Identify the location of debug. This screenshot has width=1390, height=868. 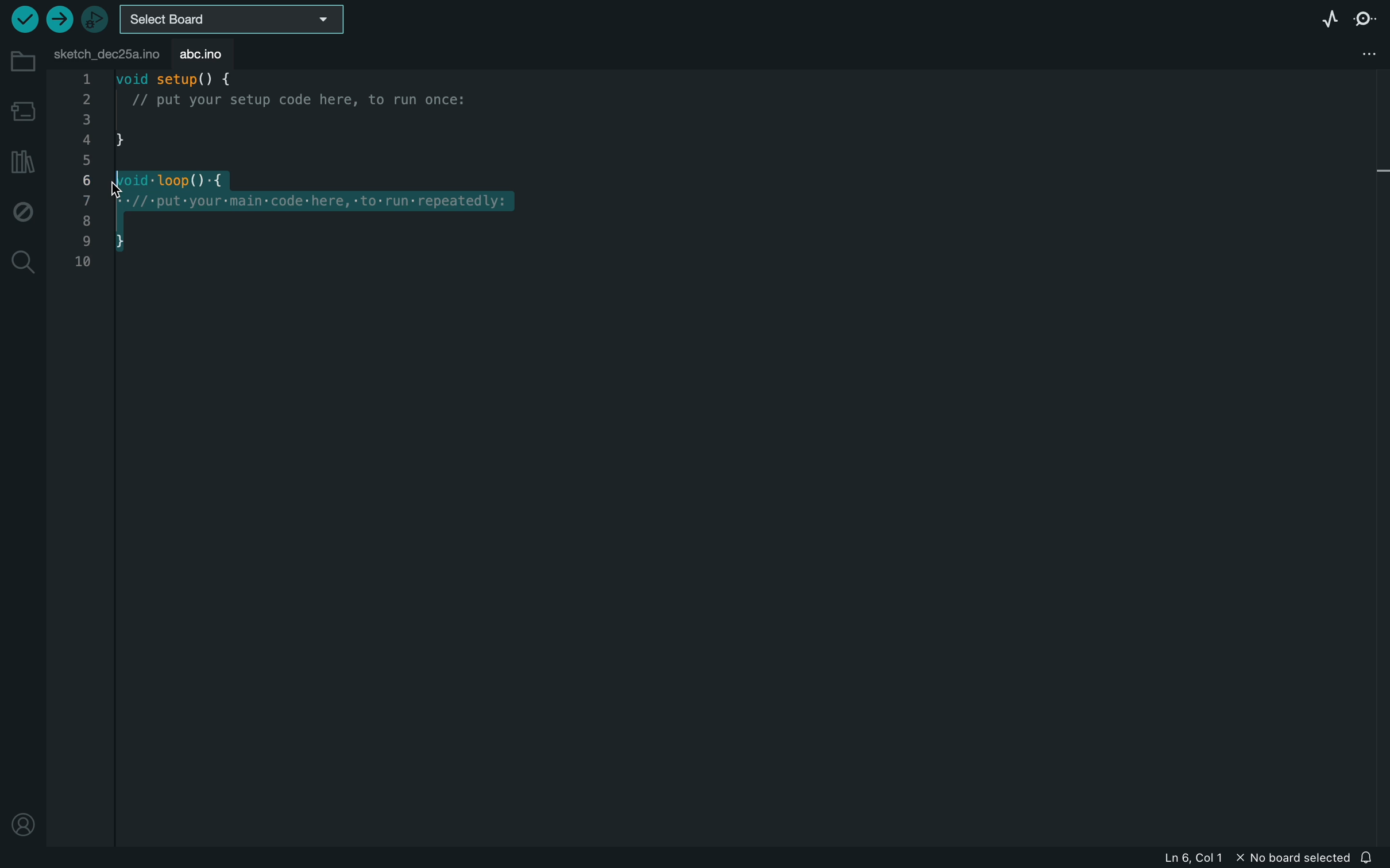
(22, 210).